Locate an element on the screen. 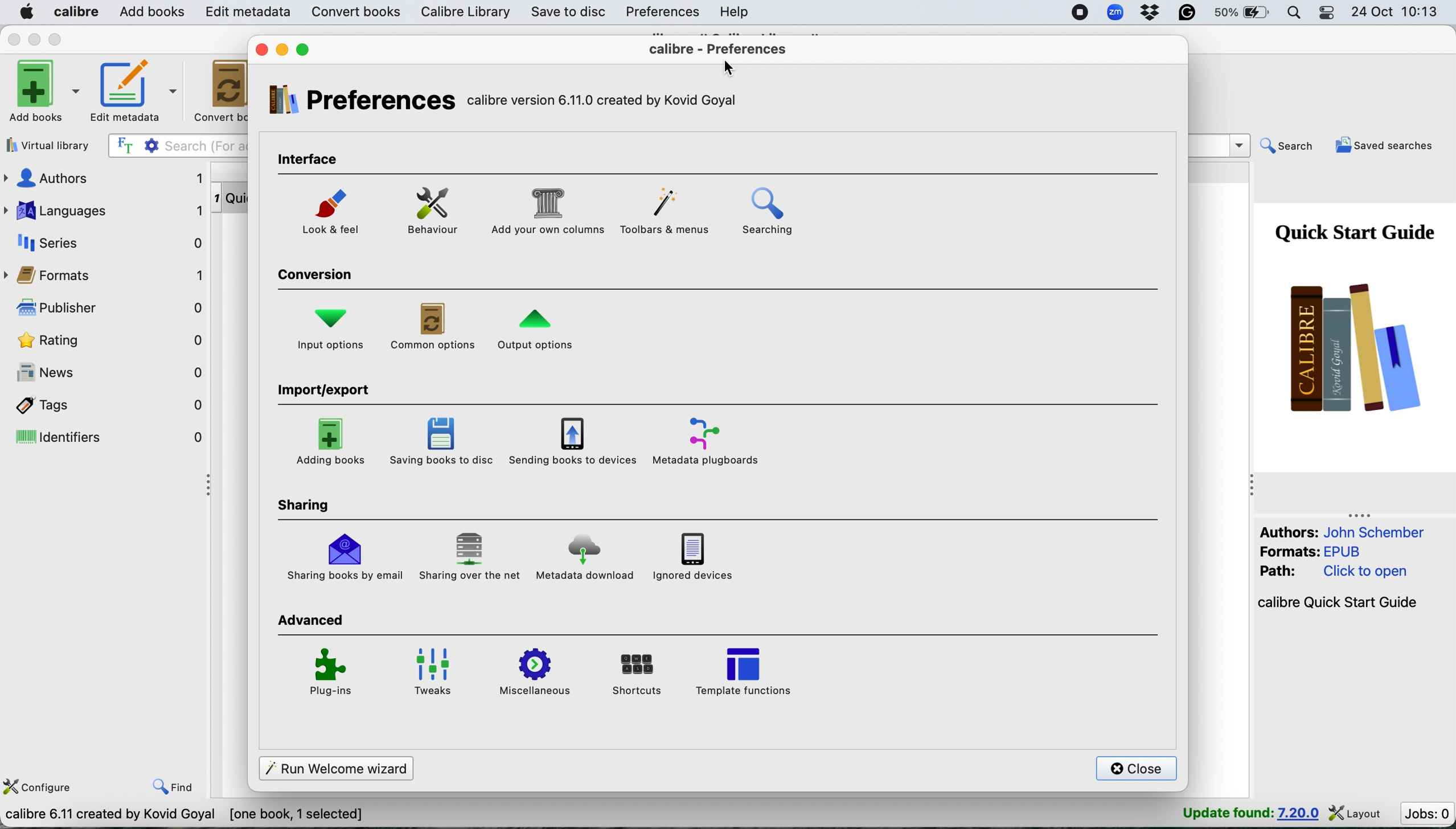 Image resolution: width=1456 pixels, height=829 pixels. identifiers is located at coordinates (110, 440).